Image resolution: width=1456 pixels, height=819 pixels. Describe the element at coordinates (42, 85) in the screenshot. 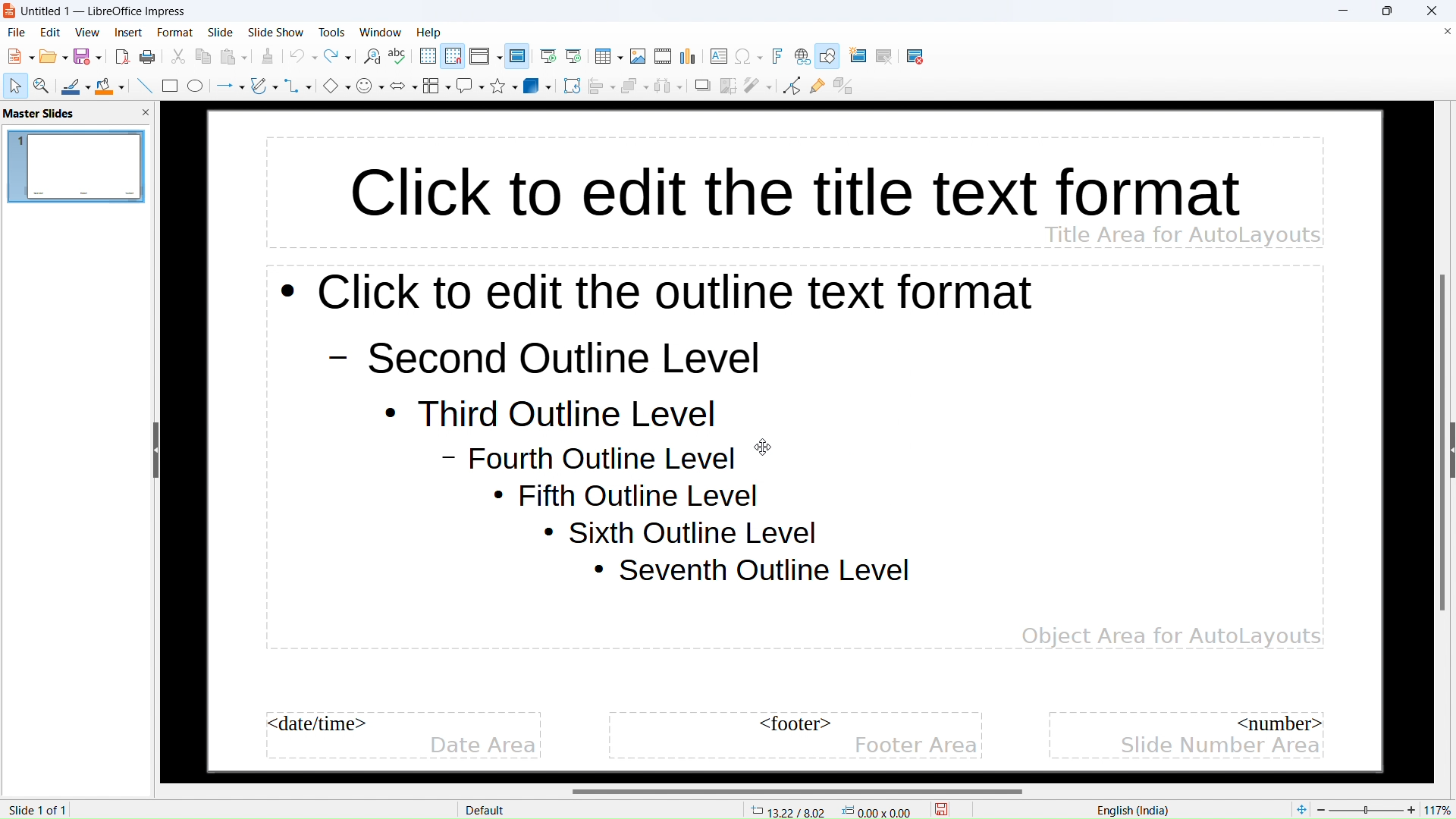

I see `zoom and pan` at that location.